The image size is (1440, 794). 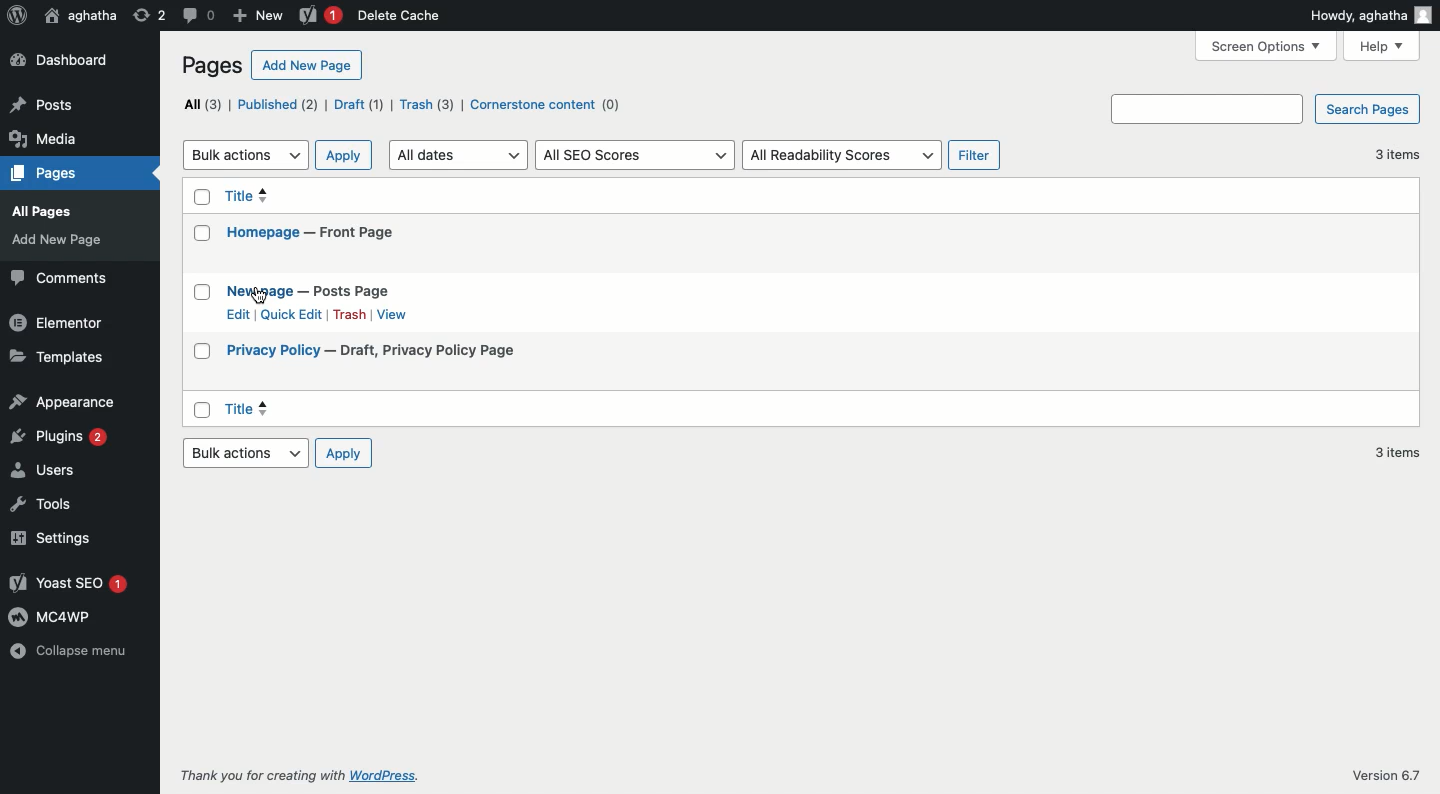 What do you see at coordinates (1371, 15) in the screenshot?
I see `Howdy user` at bounding box center [1371, 15].